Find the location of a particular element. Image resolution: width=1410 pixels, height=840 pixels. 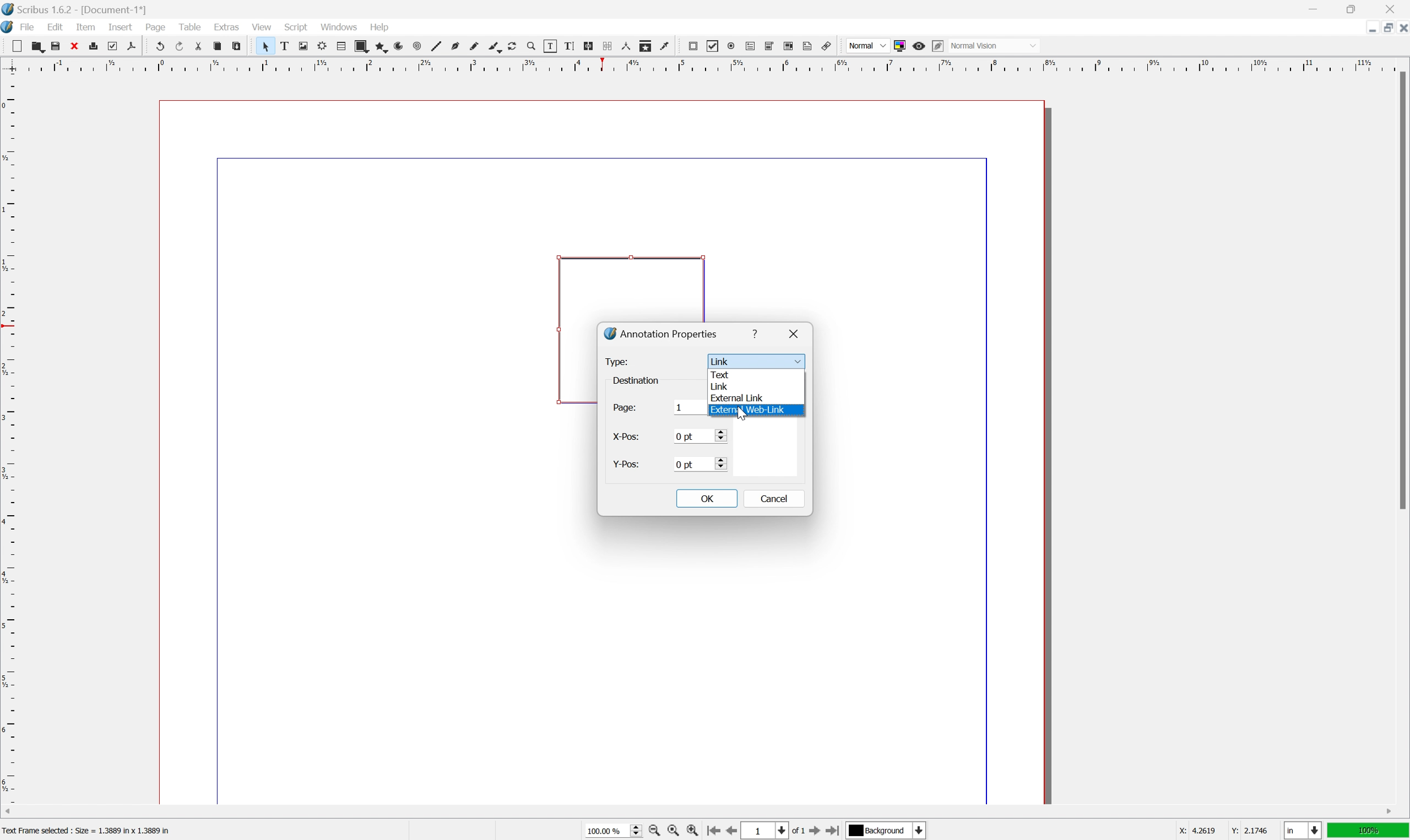

select current unit is located at coordinates (1302, 830).